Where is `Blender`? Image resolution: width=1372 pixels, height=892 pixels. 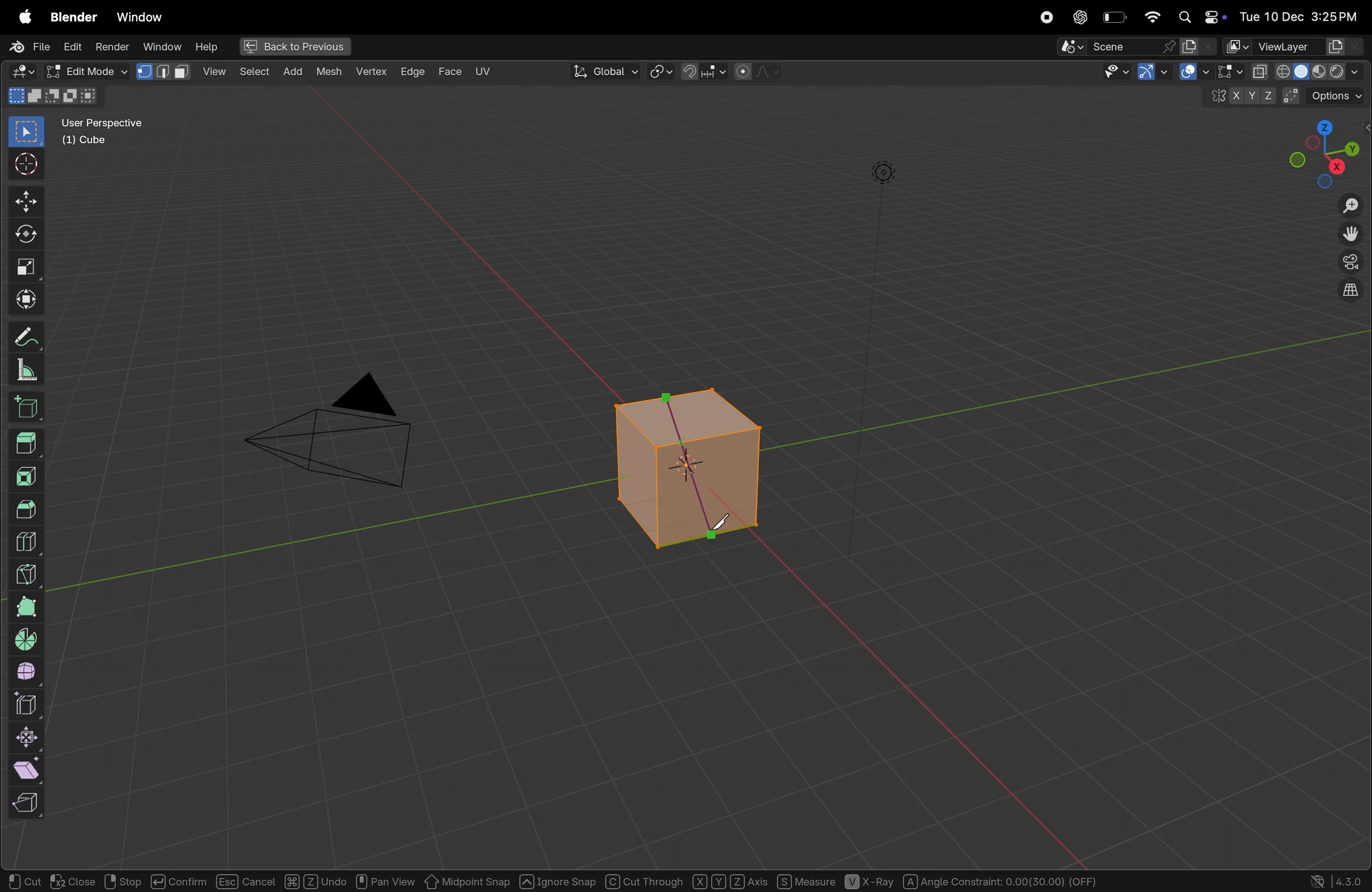 Blender is located at coordinates (71, 16).